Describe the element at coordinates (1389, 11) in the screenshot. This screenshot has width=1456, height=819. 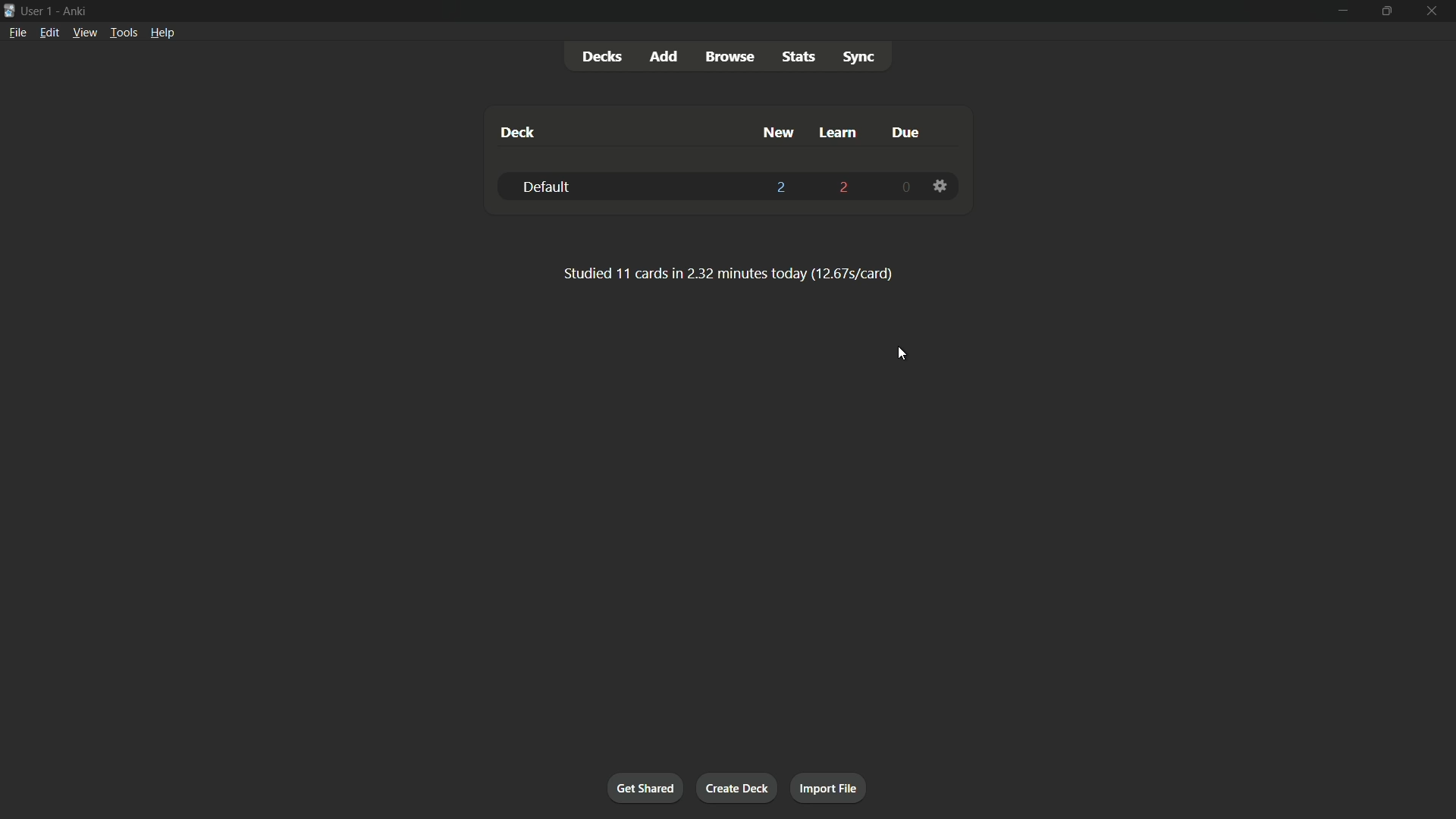
I see `maximize` at that location.